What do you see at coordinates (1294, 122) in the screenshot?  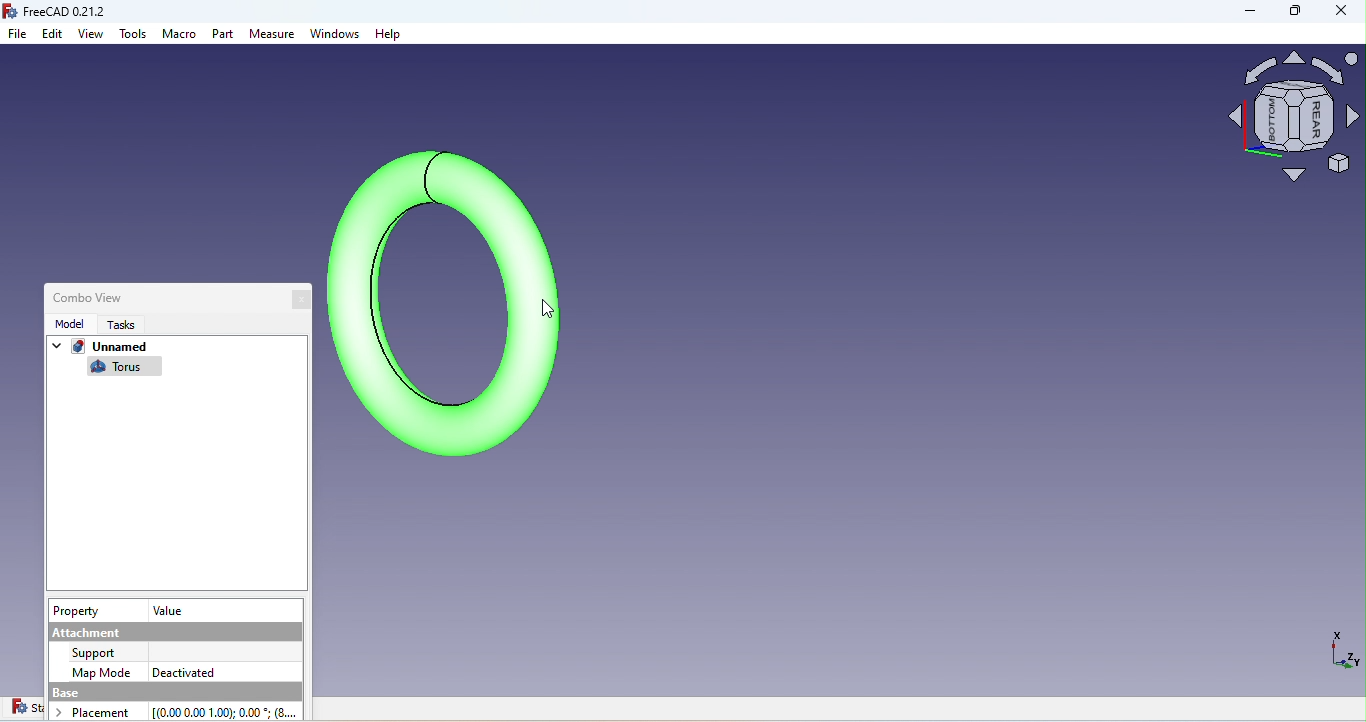 I see `Navigation square` at bounding box center [1294, 122].